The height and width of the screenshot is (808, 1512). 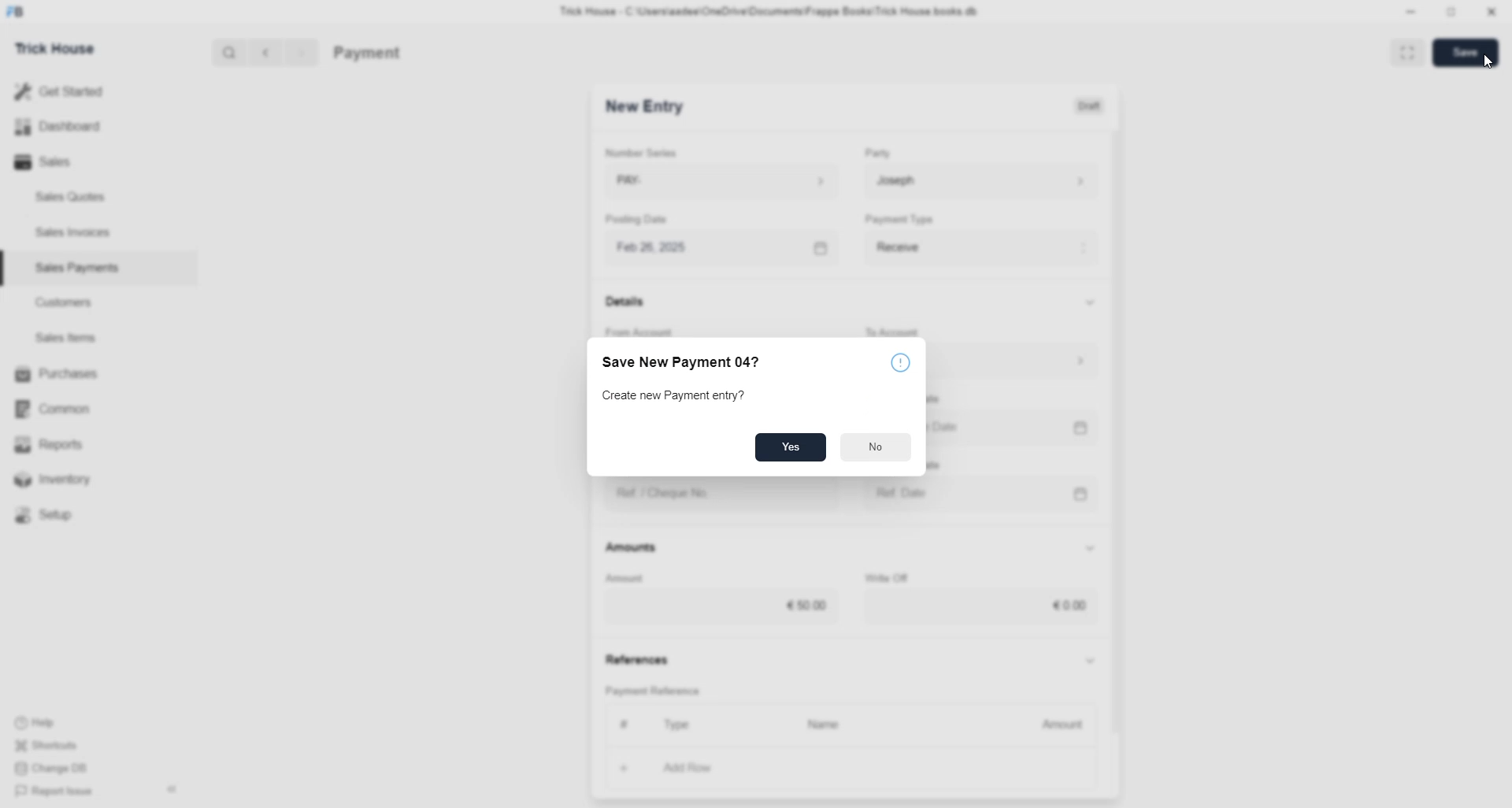 What do you see at coordinates (678, 362) in the screenshot?
I see `Save New Payment 04?` at bounding box center [678, 362].